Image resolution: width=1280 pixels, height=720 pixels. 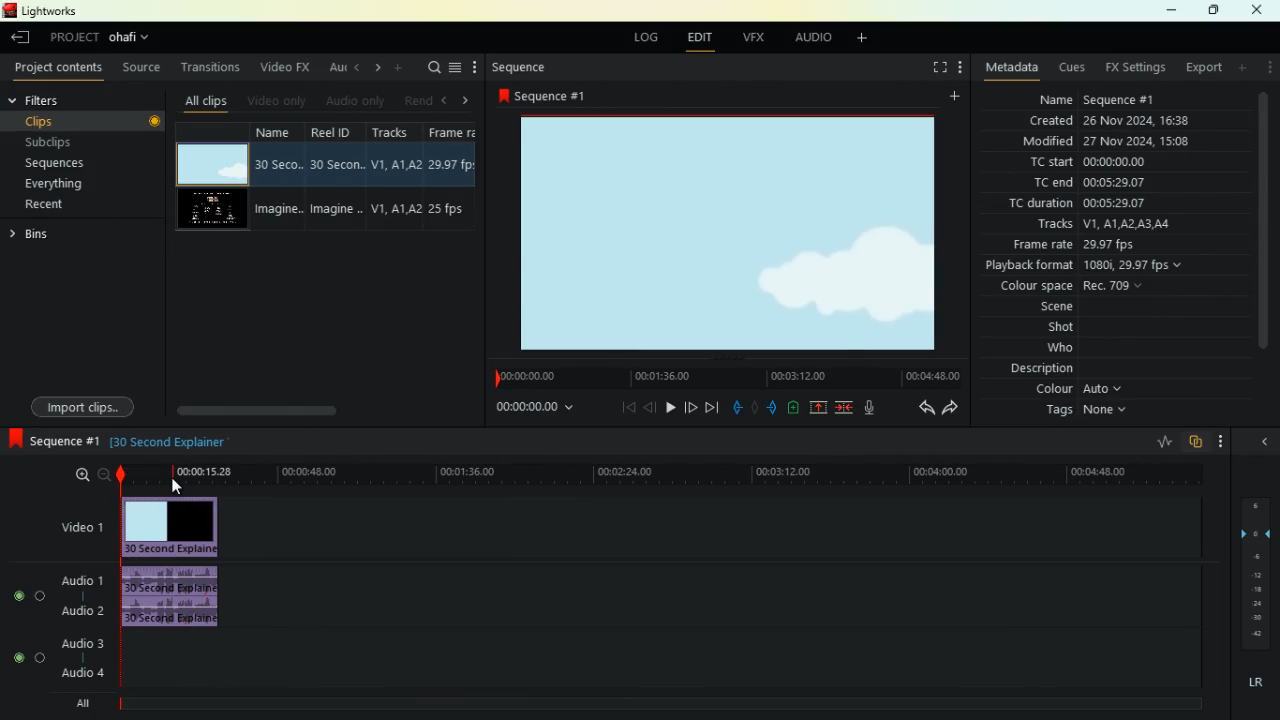 What do you see at coordinates (1075, 388) in the screenshot?
I see `colour` at bounding box center [1075, 388].